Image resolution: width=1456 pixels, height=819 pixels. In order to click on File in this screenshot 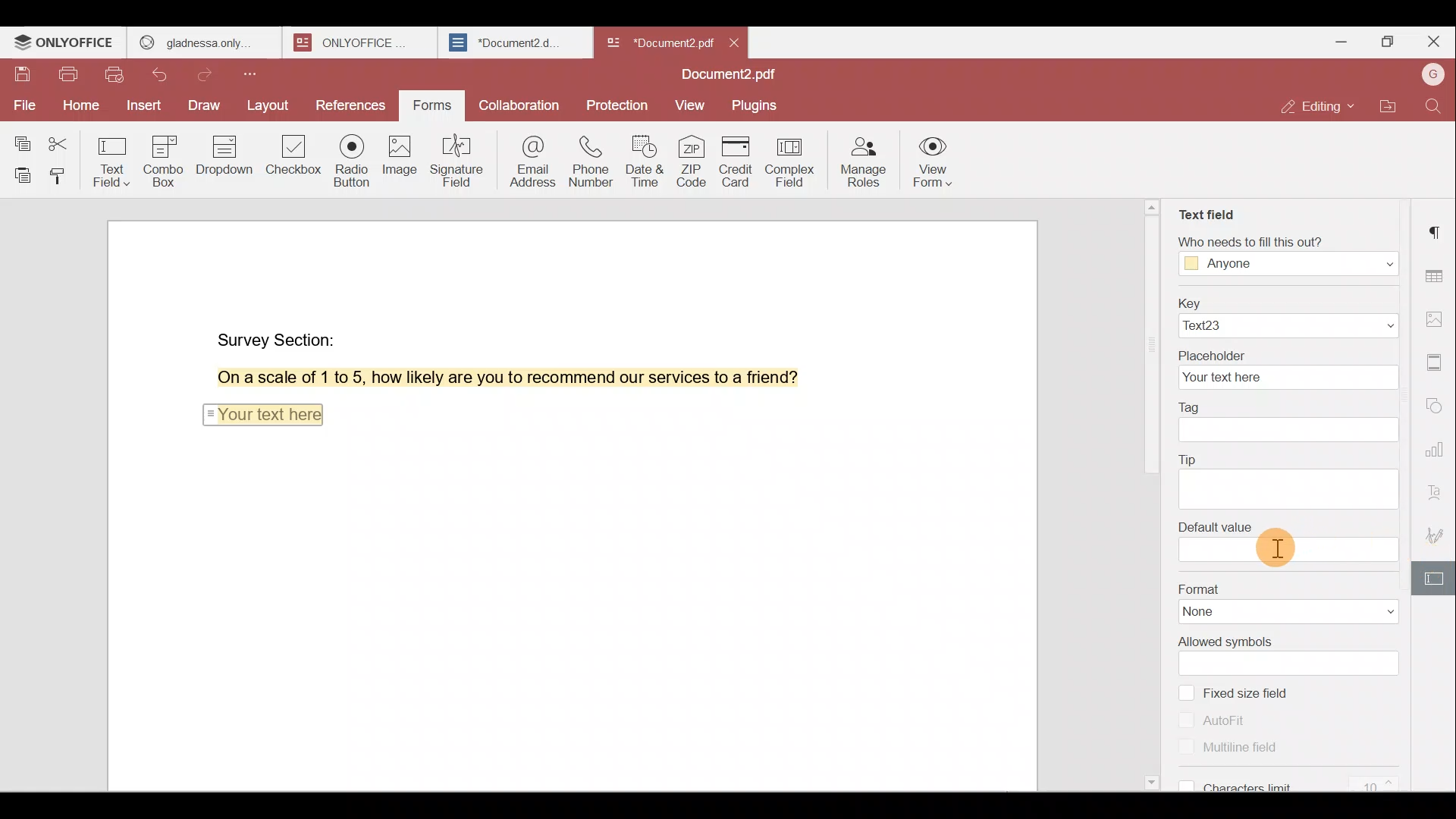, I will do `click(23, 105)`.